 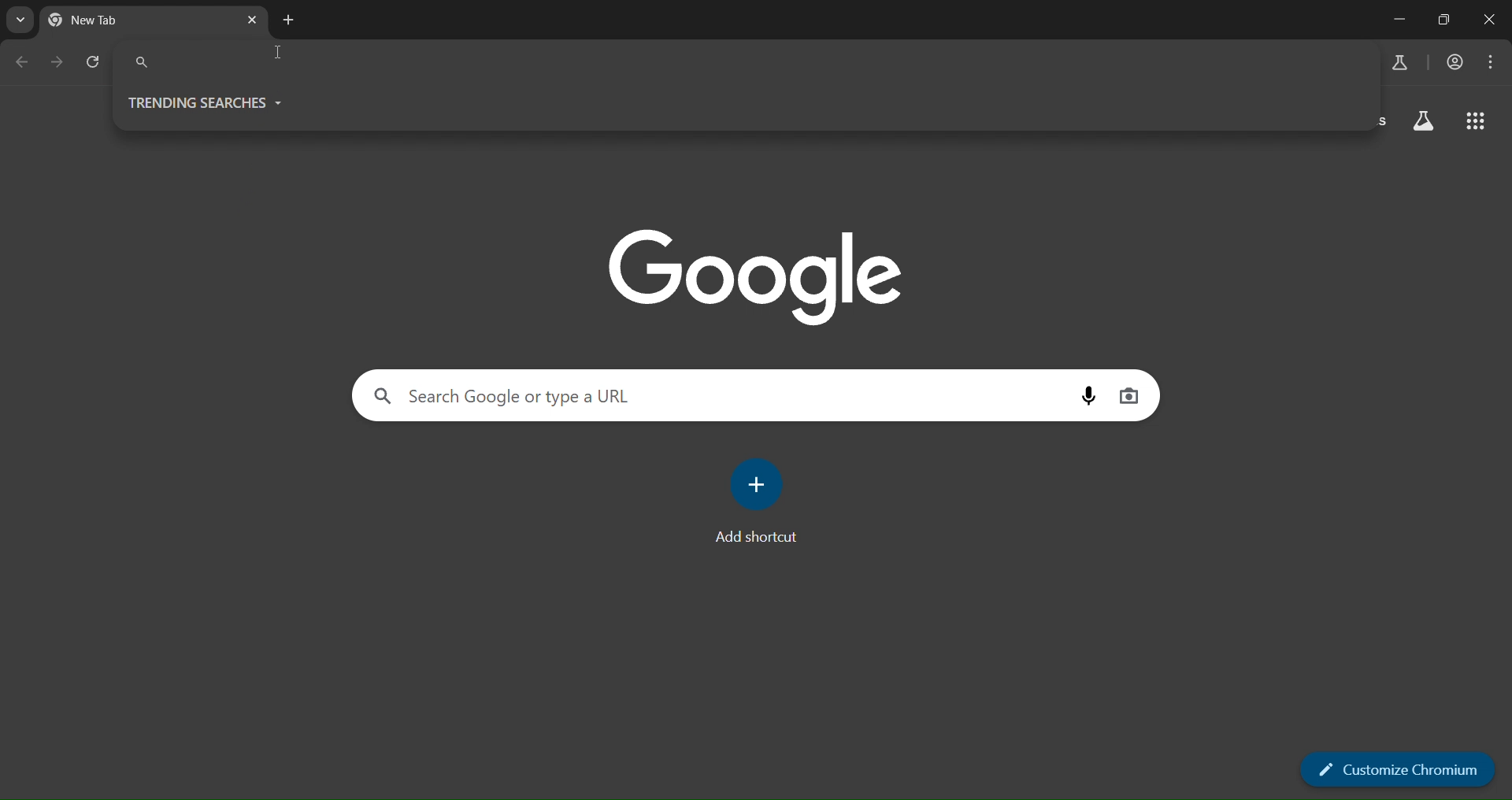 I want to click on search tabs, so click(x=21, y=20).